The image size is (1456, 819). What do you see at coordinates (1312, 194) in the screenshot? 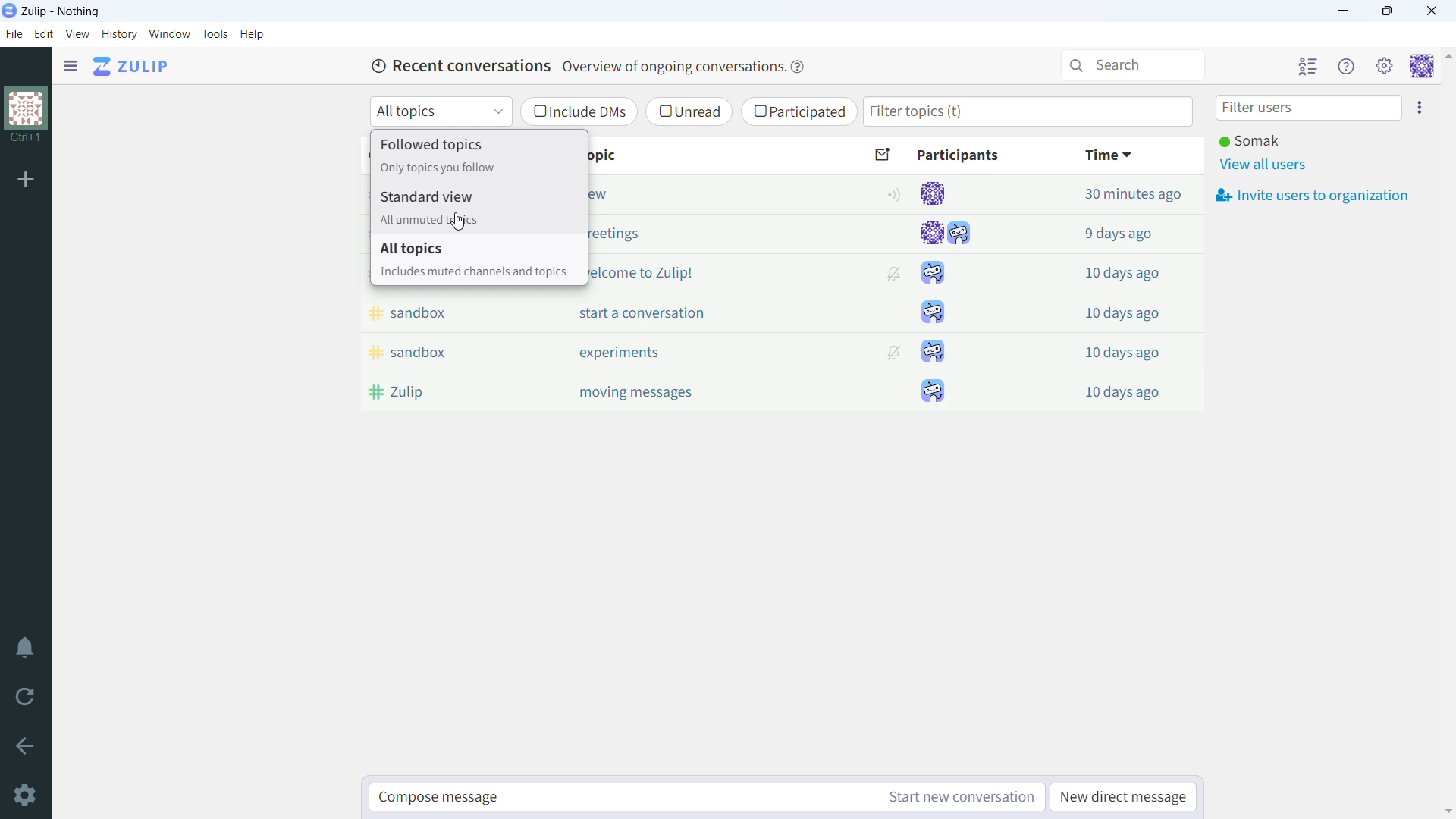
I see `invite users` at bounding box center [1312, 194].